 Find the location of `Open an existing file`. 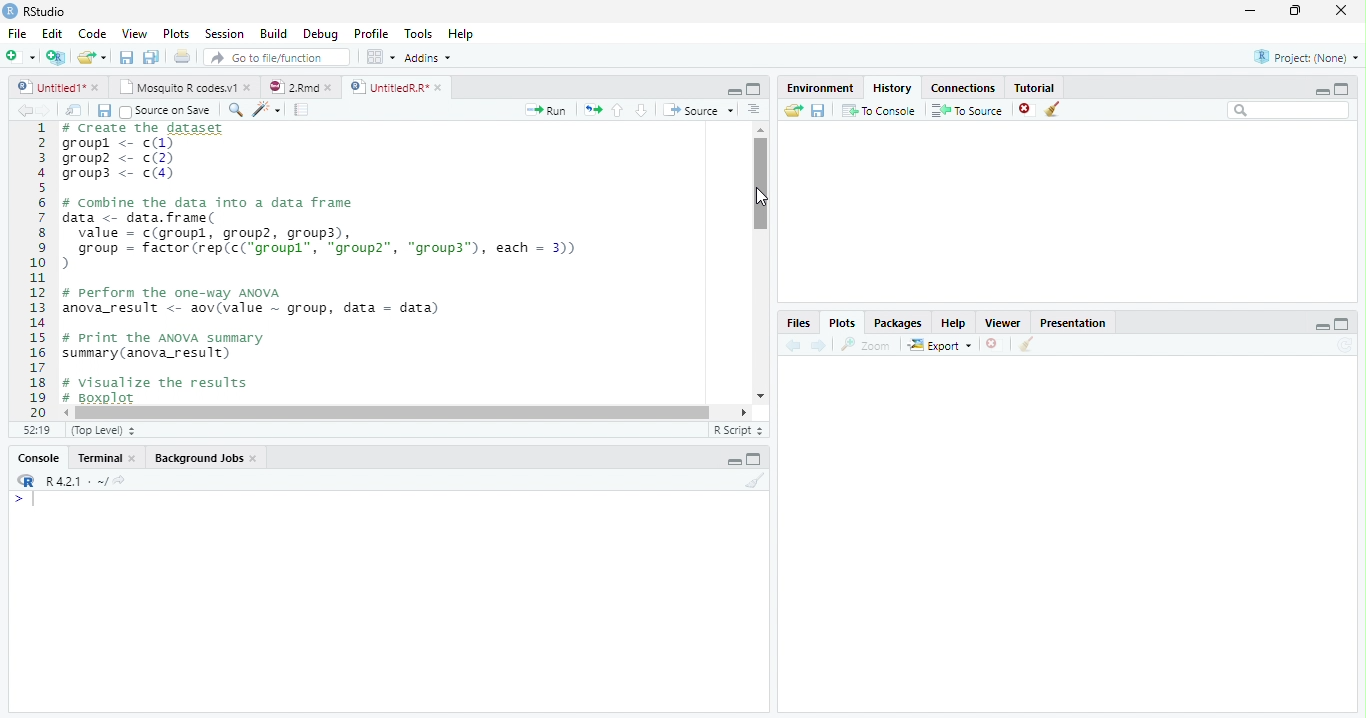

Open an existing file is located at coordinates (92, 57).